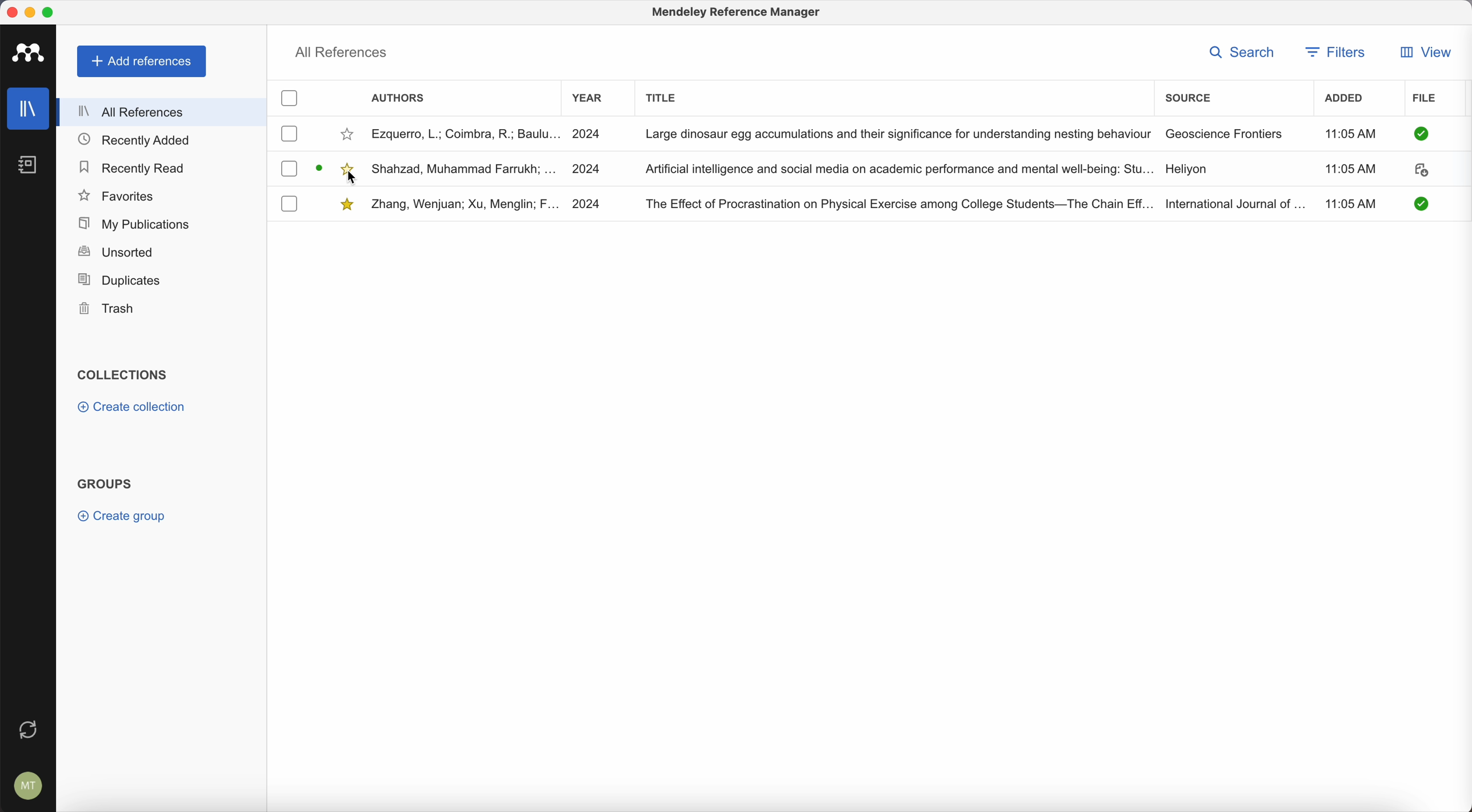 The image size is (1472, 812). What do you see at coordinates (290, 169) in the screenshot?
I see `checkbox` at bounding box center [290, 169].